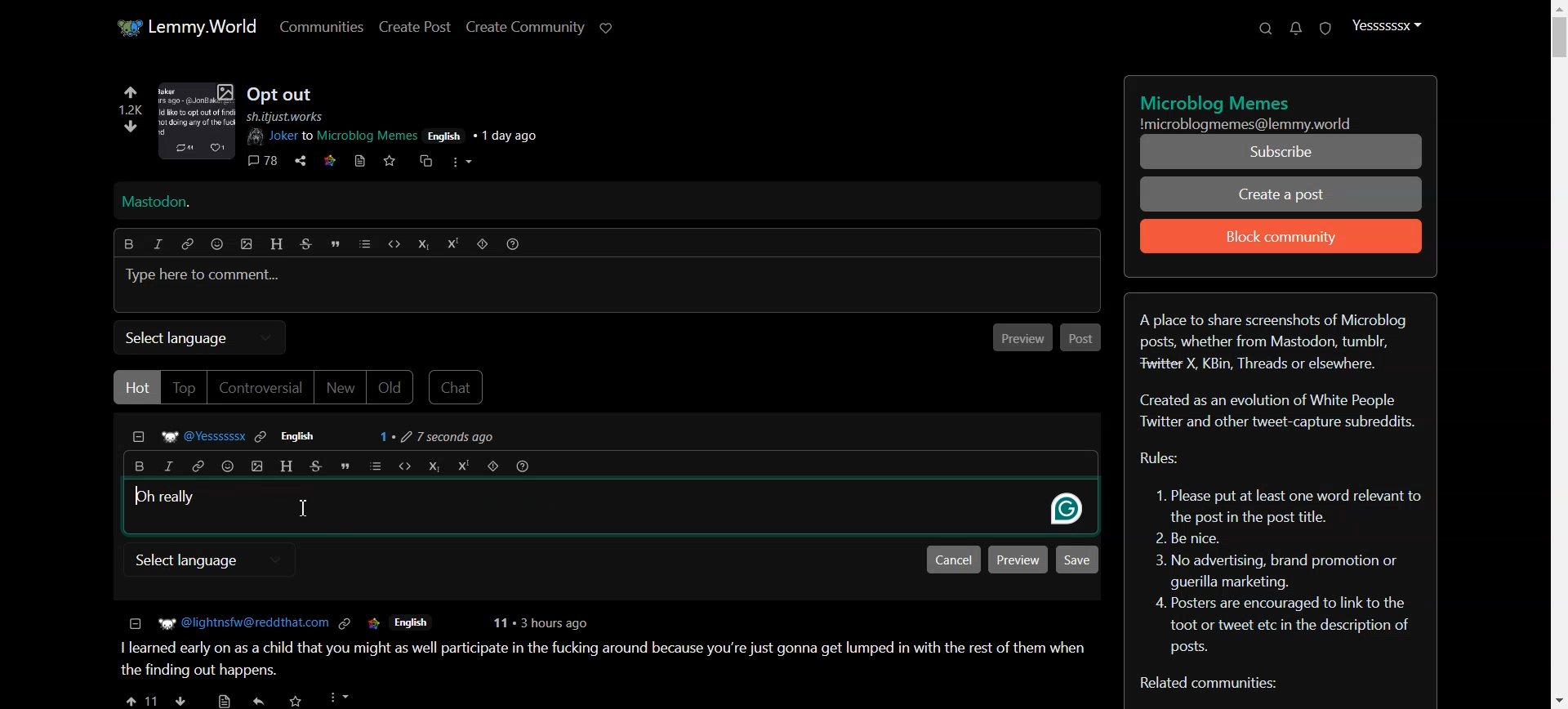 Image resolution: width=1568 pixels, height=709 pixels. What do you see at coordinates (460, 386) in the screenshot?
I see `Chat` at bounding box center [460, 386].